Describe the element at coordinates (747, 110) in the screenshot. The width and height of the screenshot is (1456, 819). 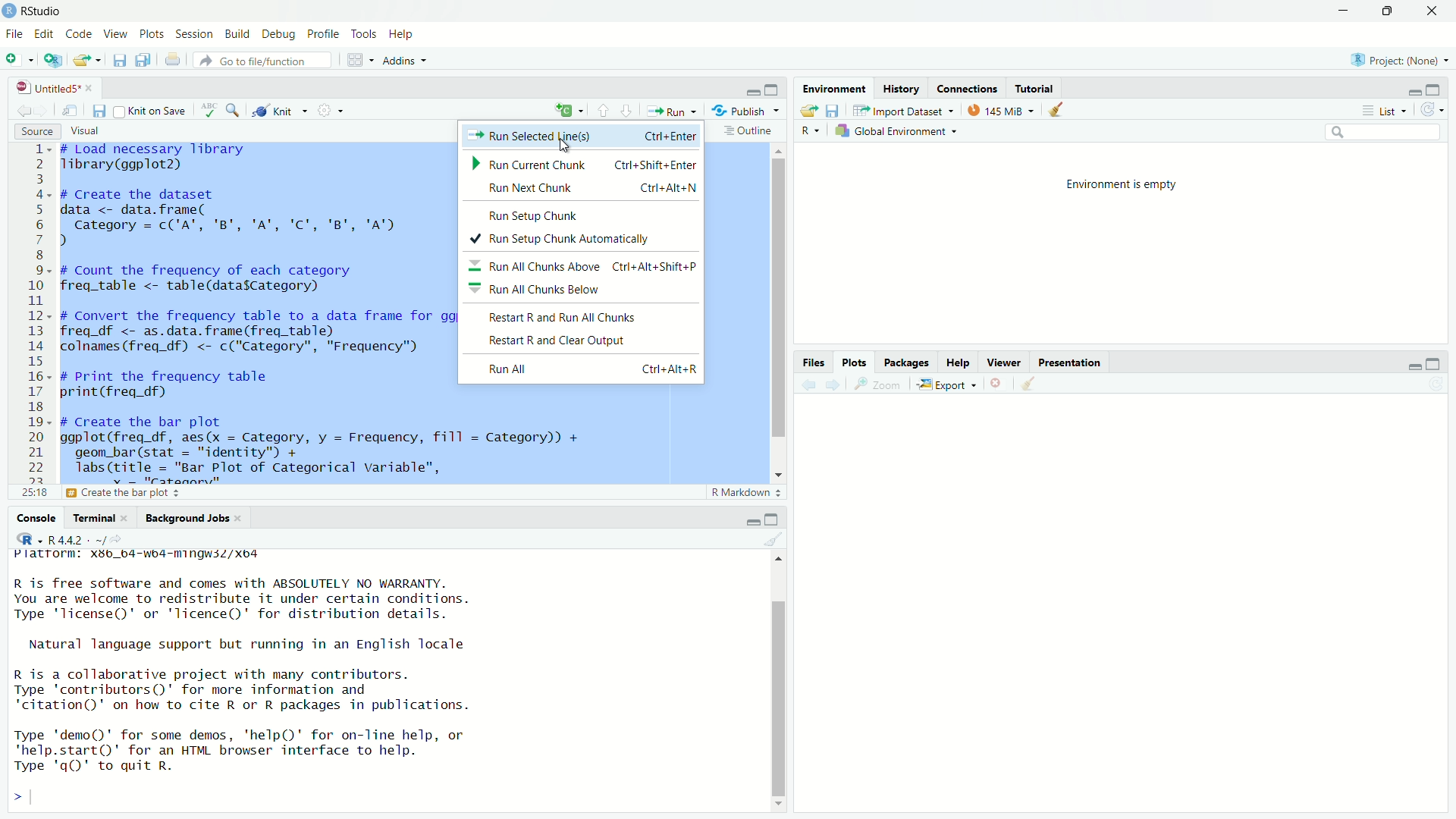
I see `Publish` at that location.